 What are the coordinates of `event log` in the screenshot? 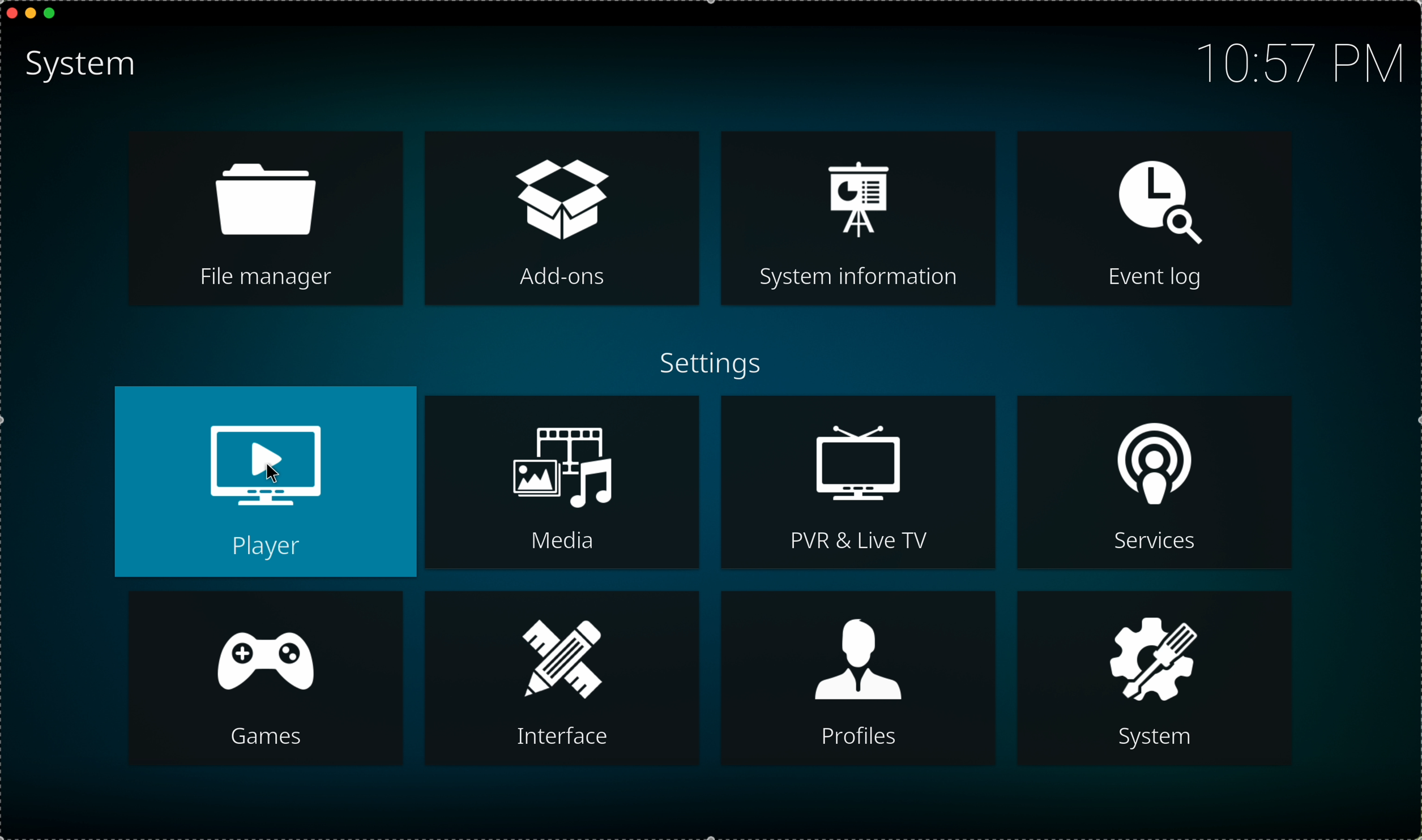 It's located at (1155, 221).